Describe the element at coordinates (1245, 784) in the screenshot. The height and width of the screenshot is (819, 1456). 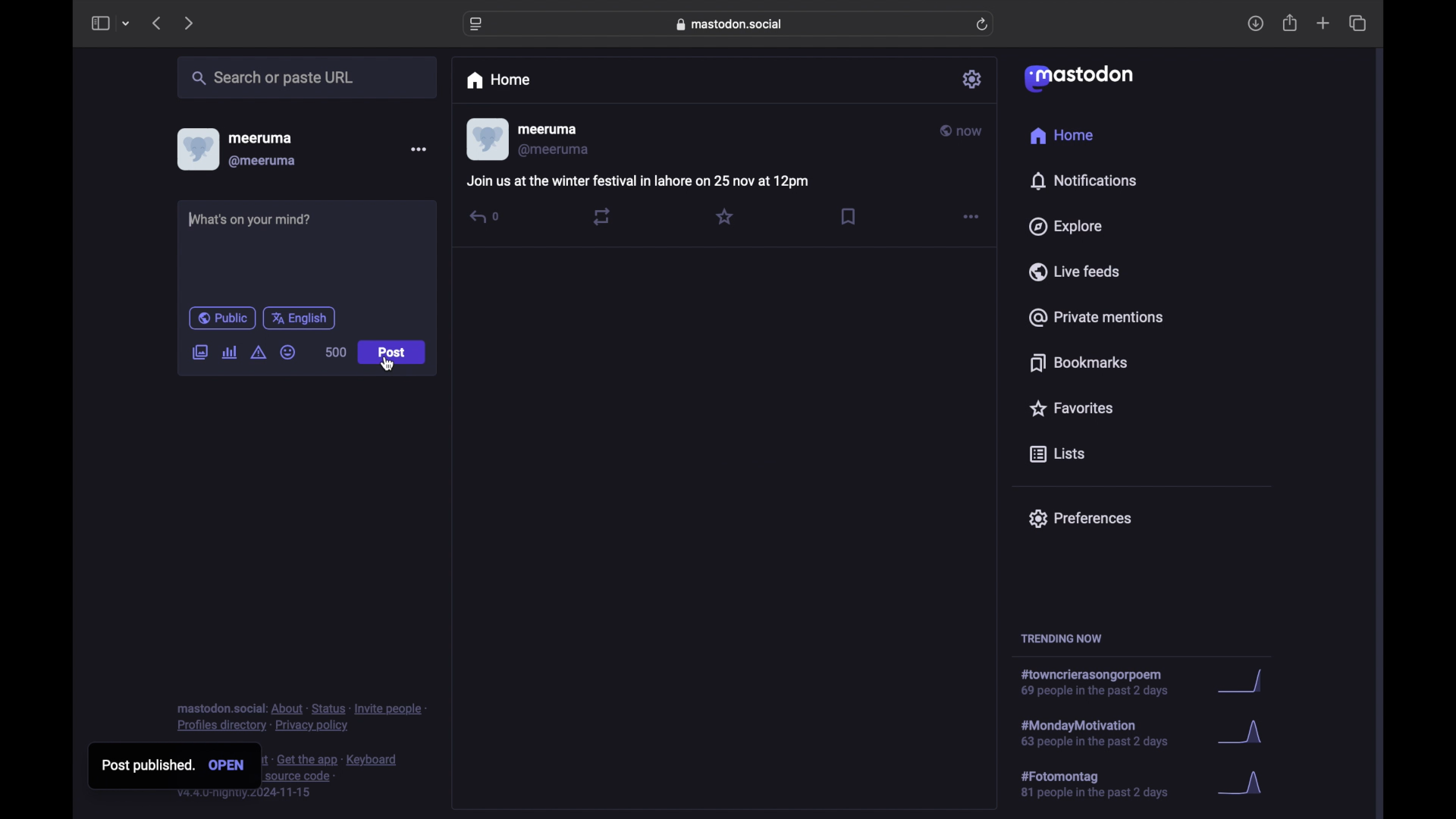
I see `graph` at that location.